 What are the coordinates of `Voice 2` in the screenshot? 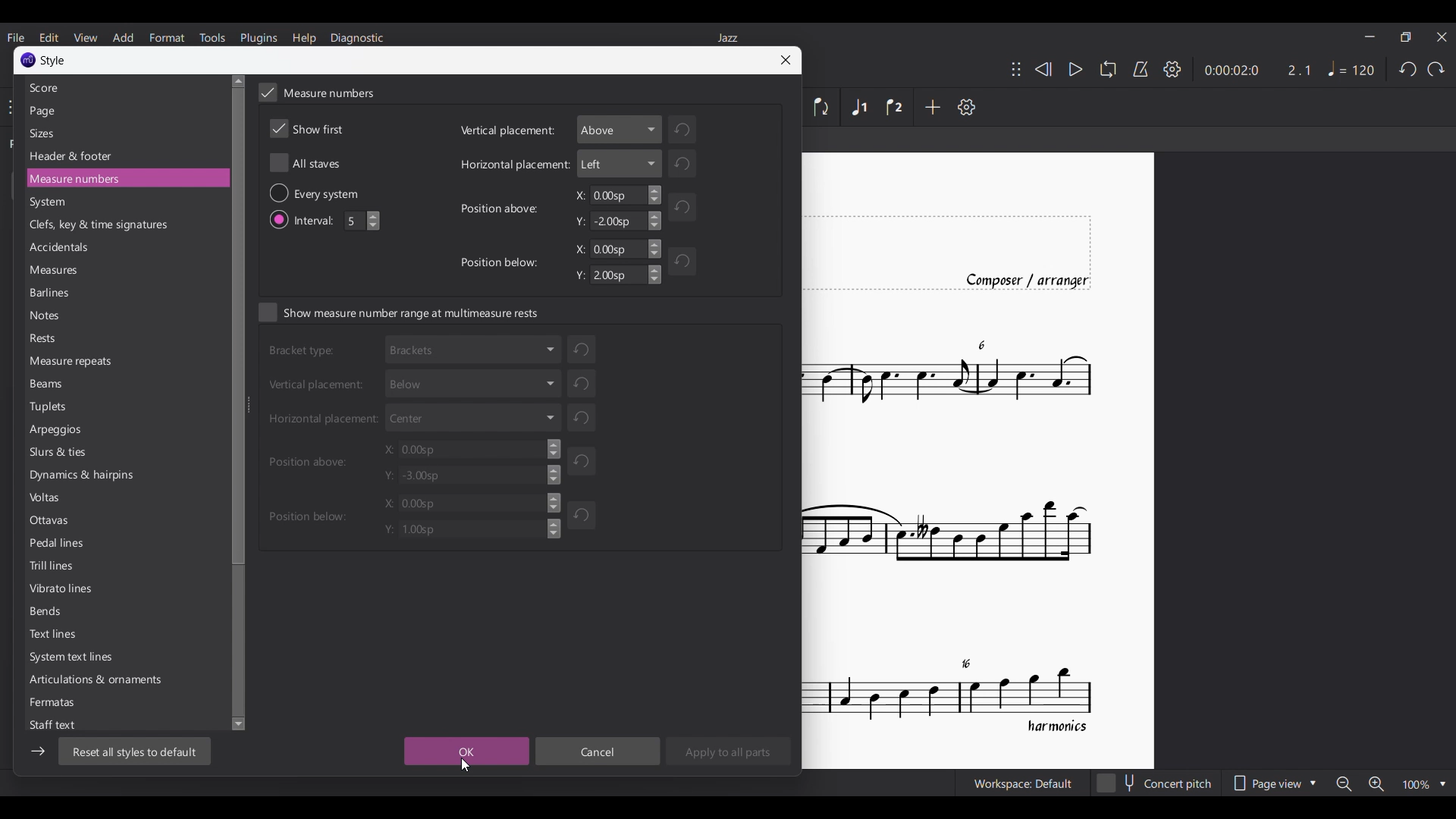 It's located at (894, 107).